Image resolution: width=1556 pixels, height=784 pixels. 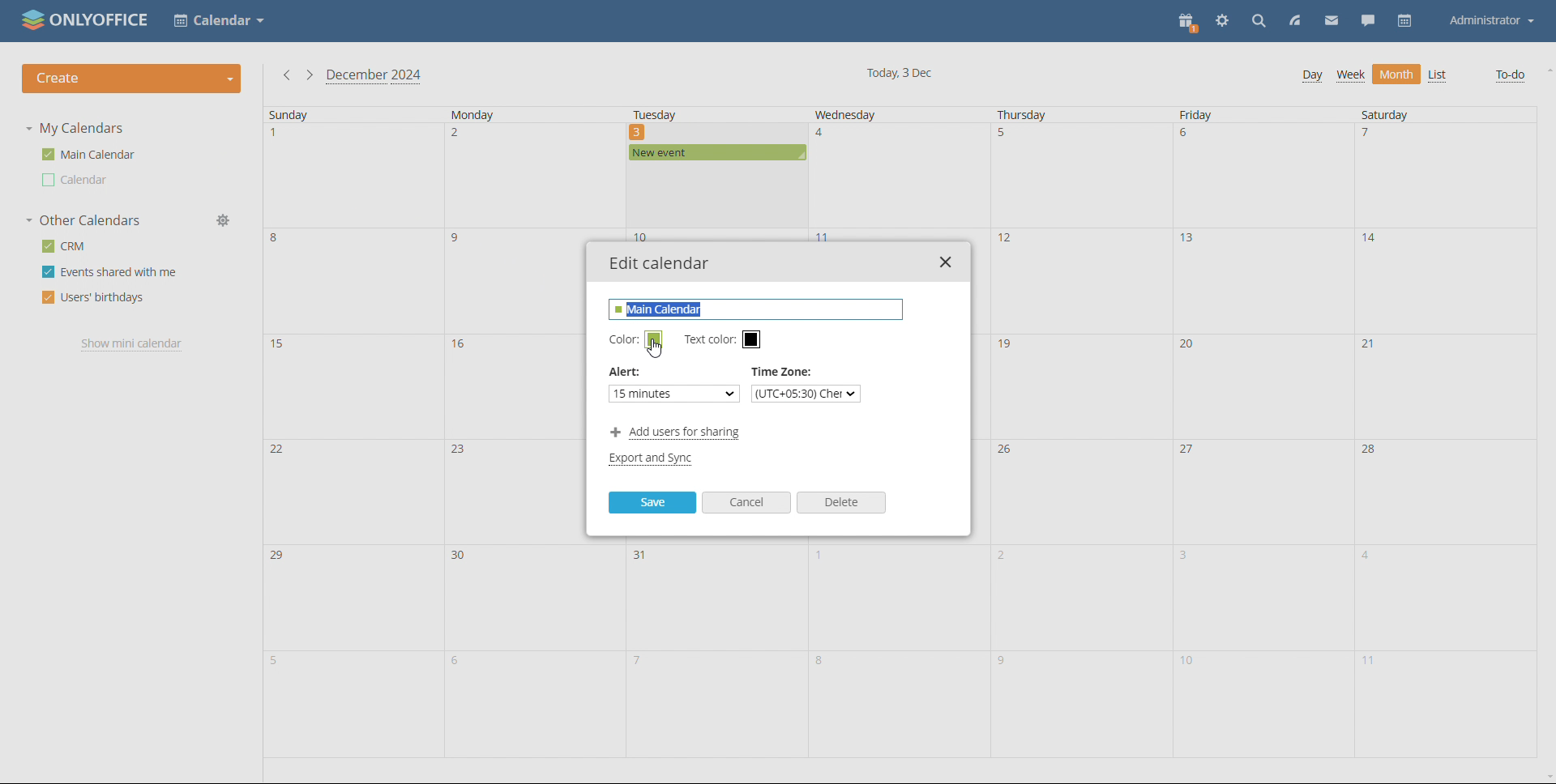 I want to click on thursday, so click(x=1037, y=115).